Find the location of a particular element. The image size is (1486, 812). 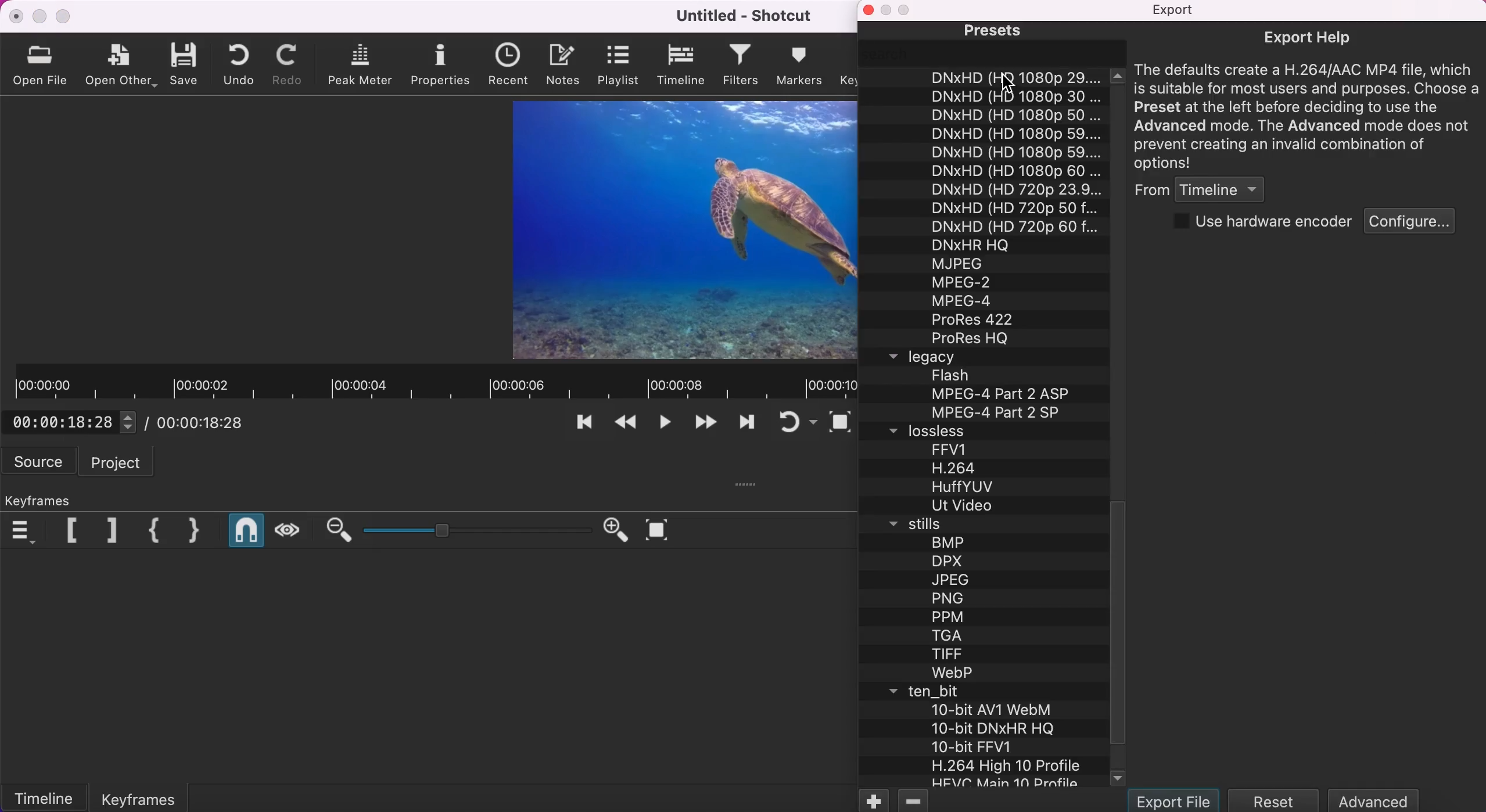

open file is located at coordinates (41, 64).